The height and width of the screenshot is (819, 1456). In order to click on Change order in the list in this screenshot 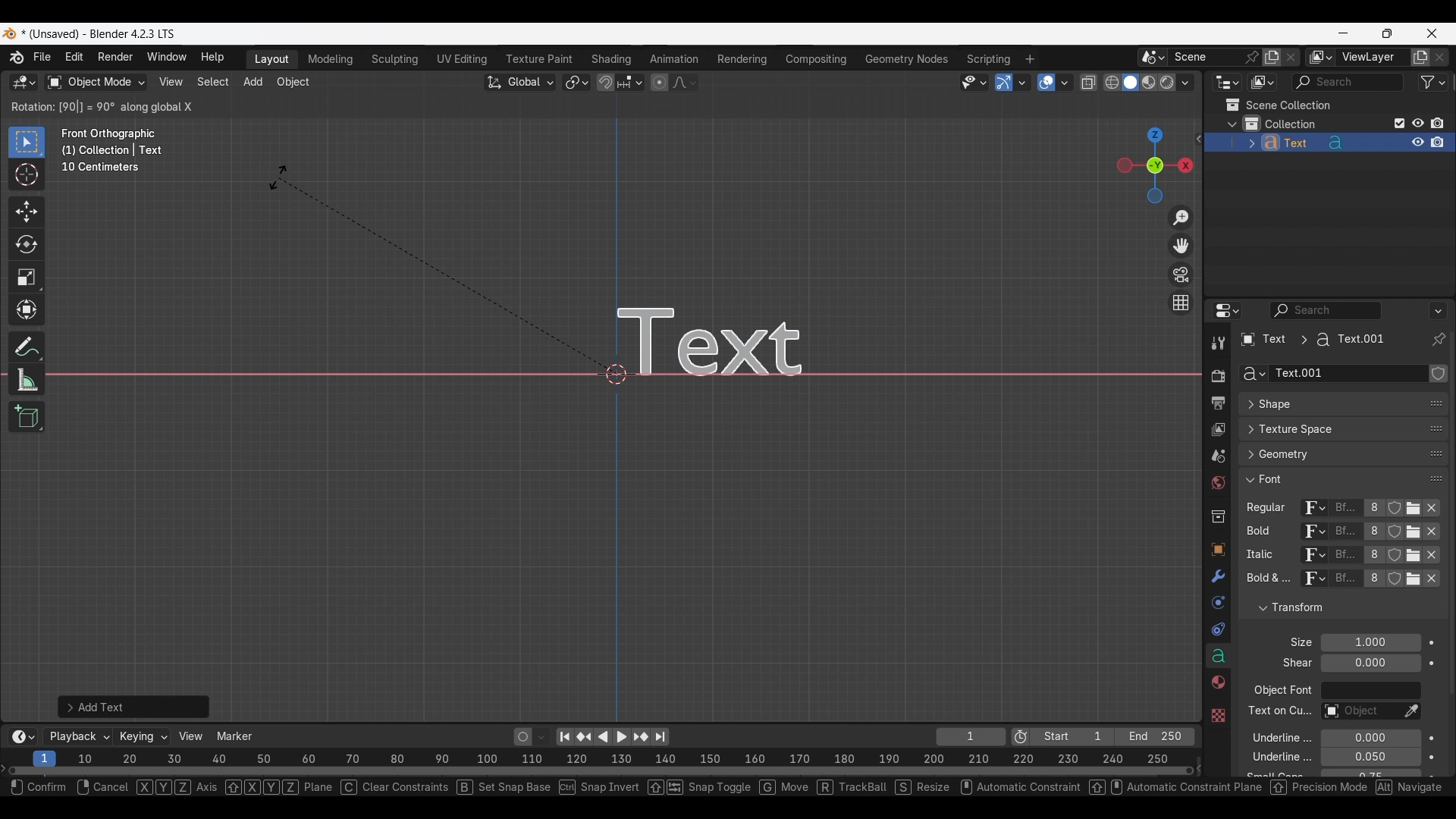, I will do `click(1437, 601)`.